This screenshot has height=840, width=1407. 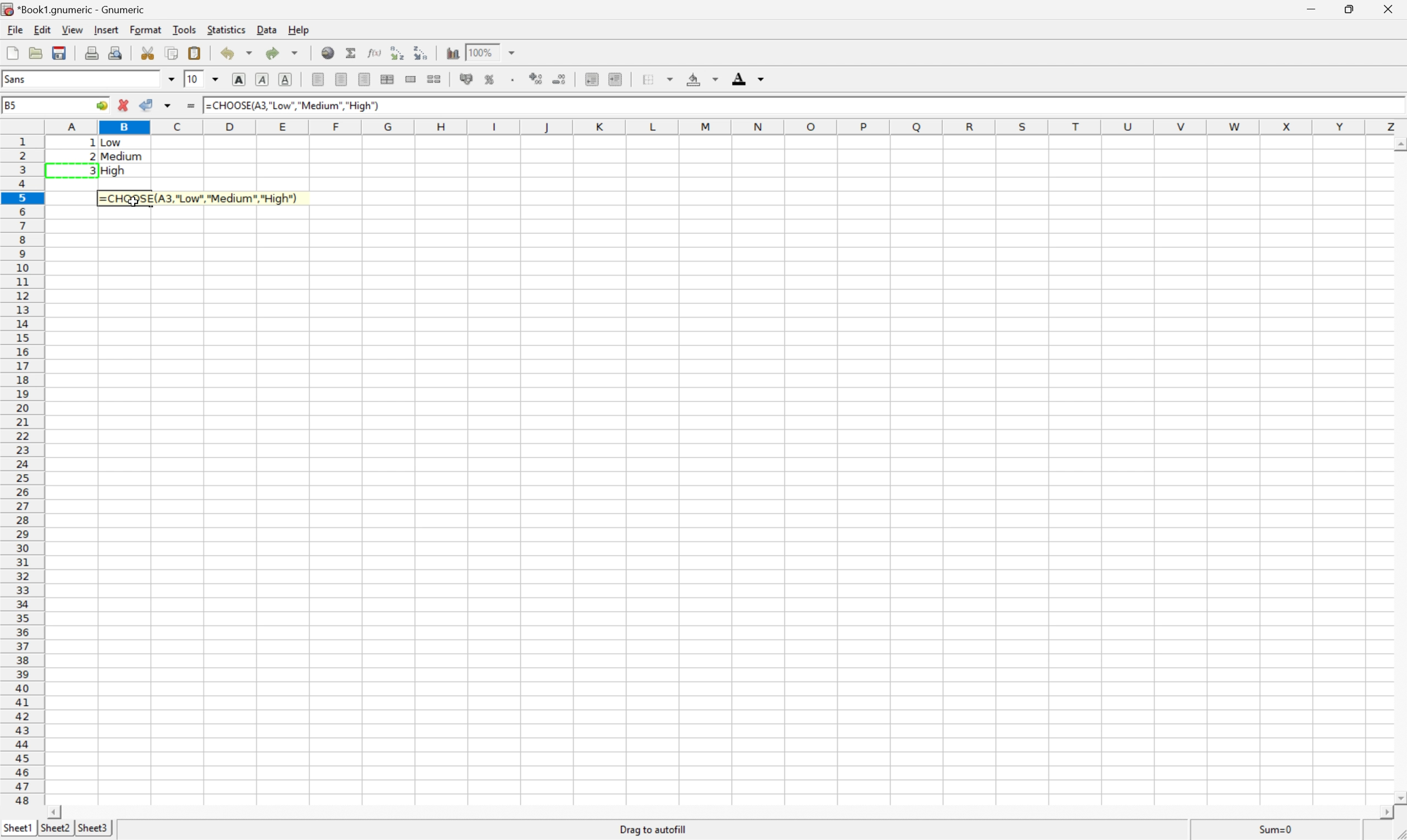 I want to click on Insert, so click(x=106, y=28).